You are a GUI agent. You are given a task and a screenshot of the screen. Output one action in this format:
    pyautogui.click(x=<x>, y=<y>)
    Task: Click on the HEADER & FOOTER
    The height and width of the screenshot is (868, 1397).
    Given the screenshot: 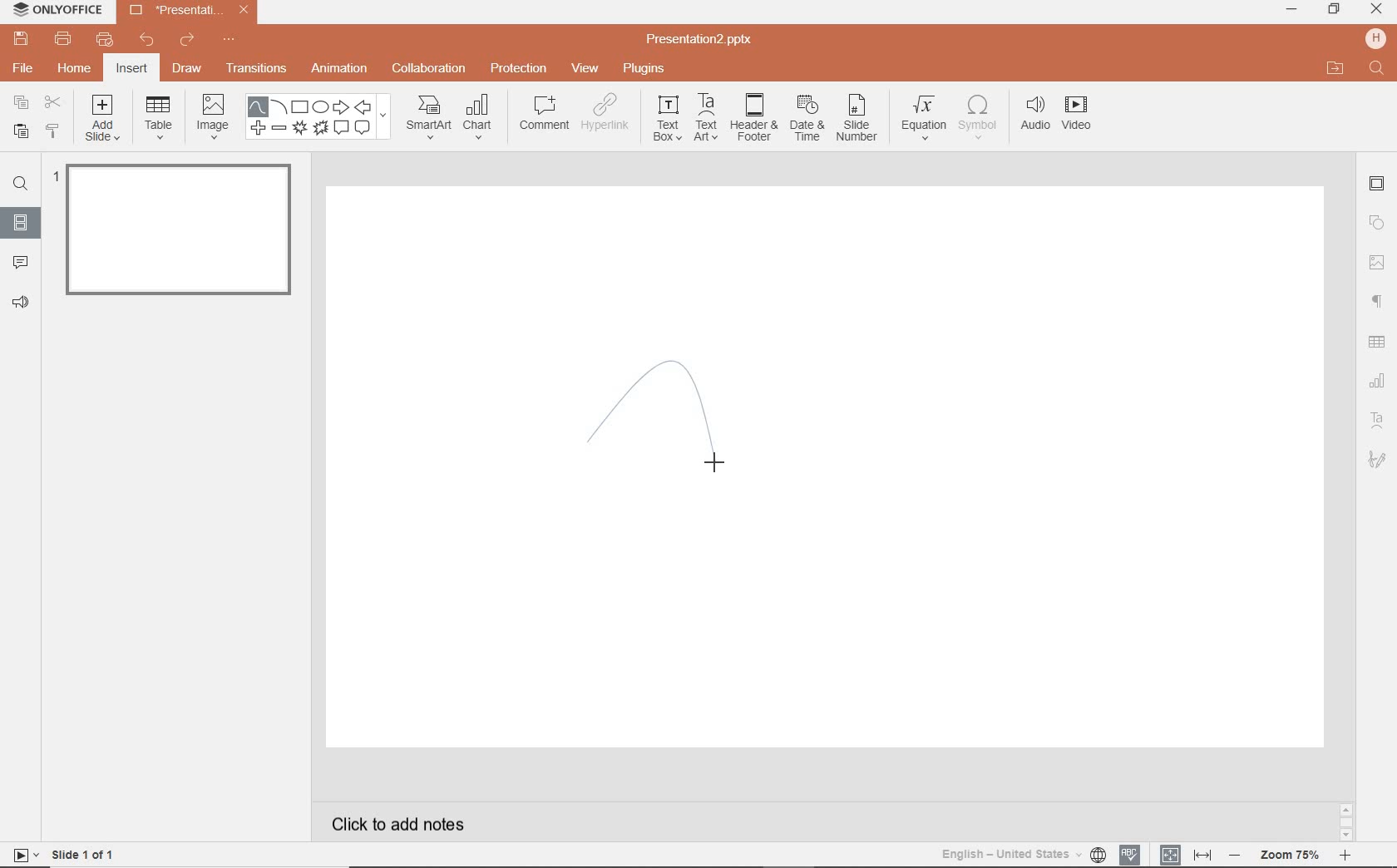 What is the action you would take?
    pyautogui.click(x=753, y=118)
    